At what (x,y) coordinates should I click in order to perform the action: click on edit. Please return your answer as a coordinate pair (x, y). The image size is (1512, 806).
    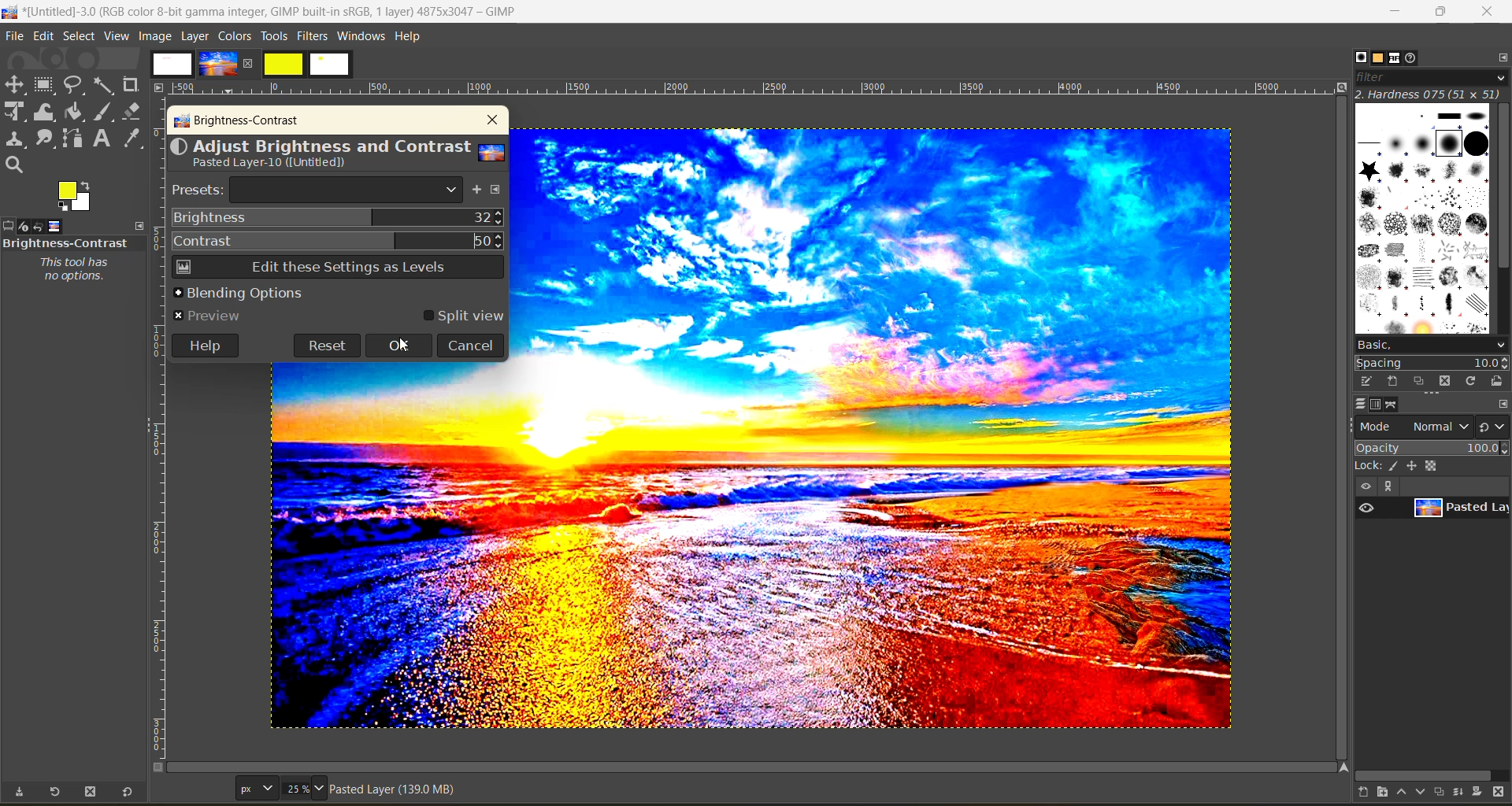
    Looking at the image, I should click on (1368, 381).